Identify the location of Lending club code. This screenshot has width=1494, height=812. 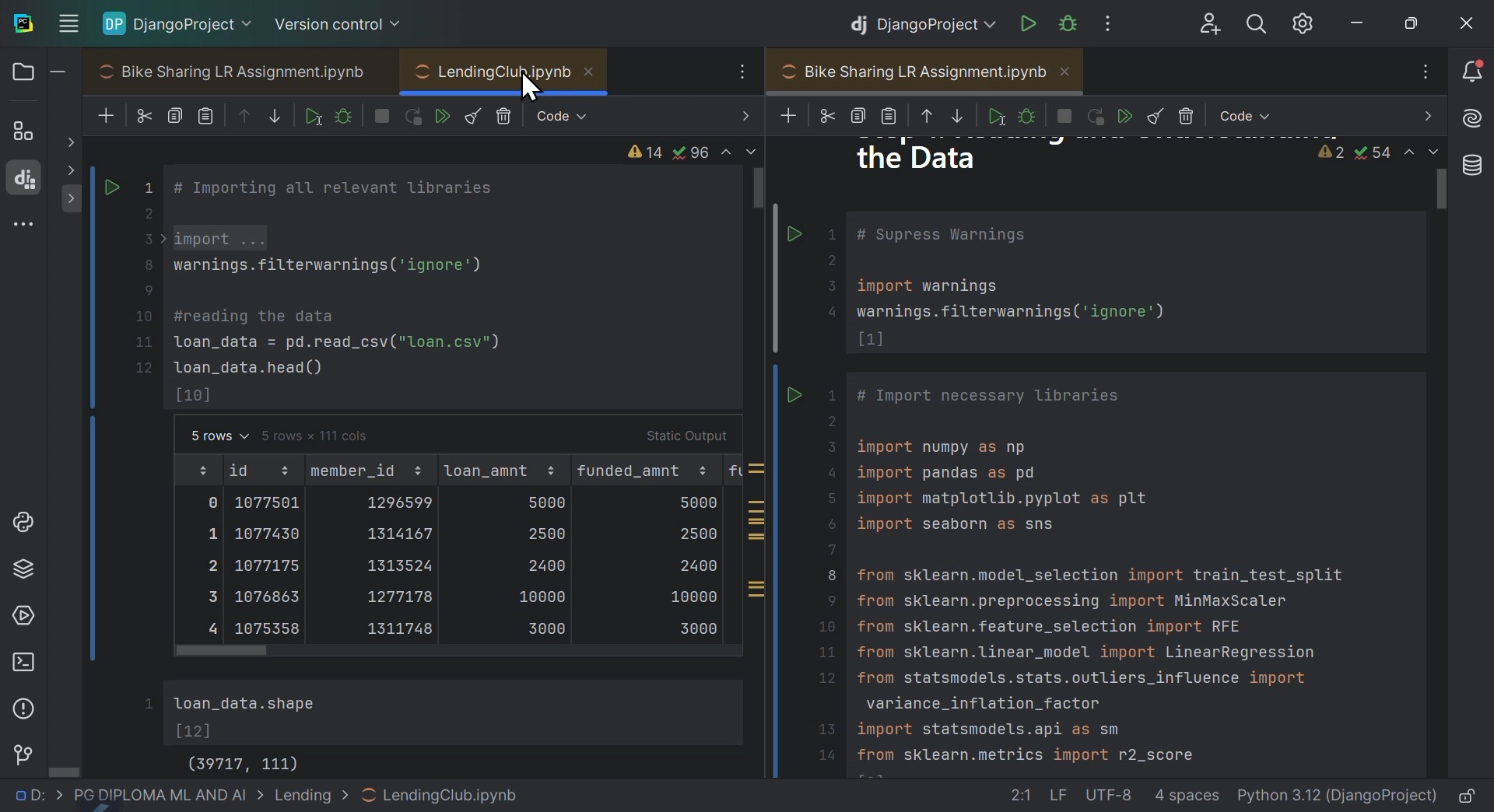
(429, 469).